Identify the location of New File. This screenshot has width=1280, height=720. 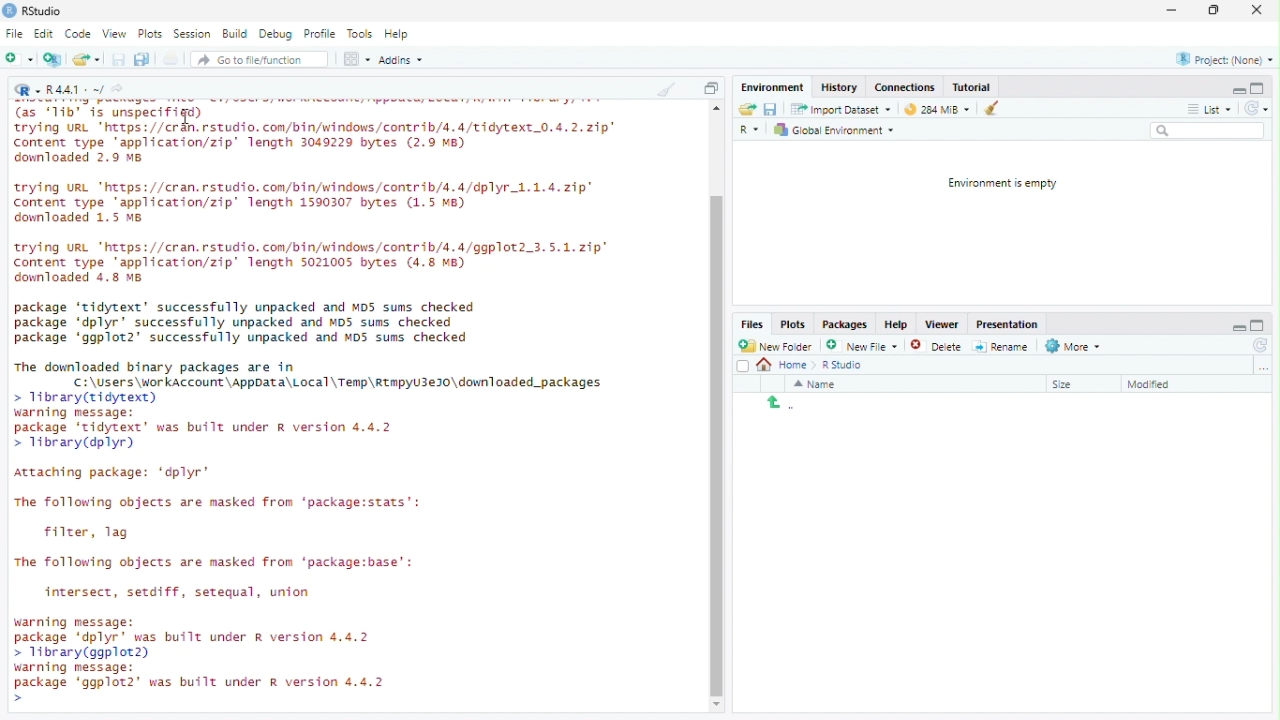
(860, 345).